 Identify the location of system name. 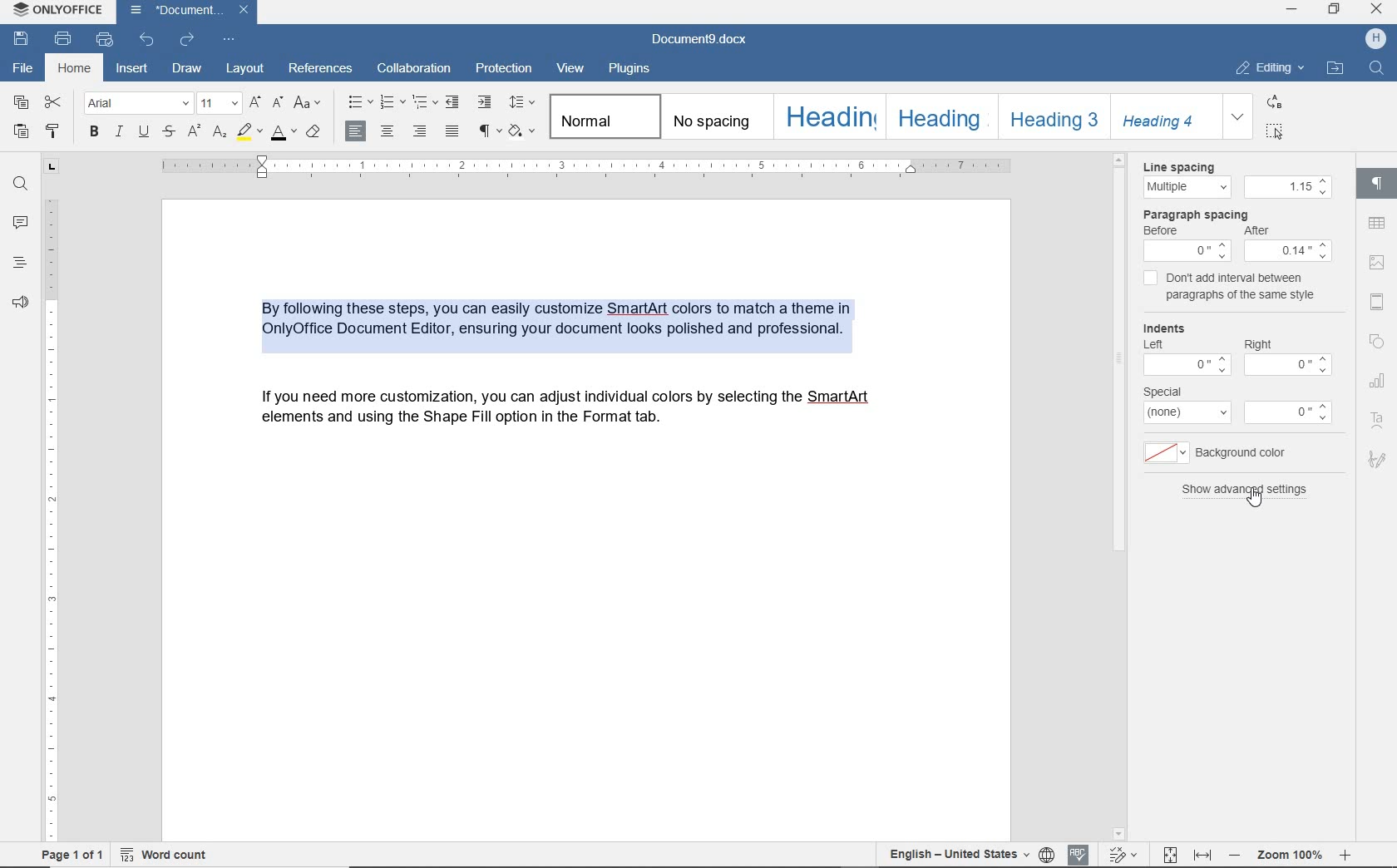
(54, 11).